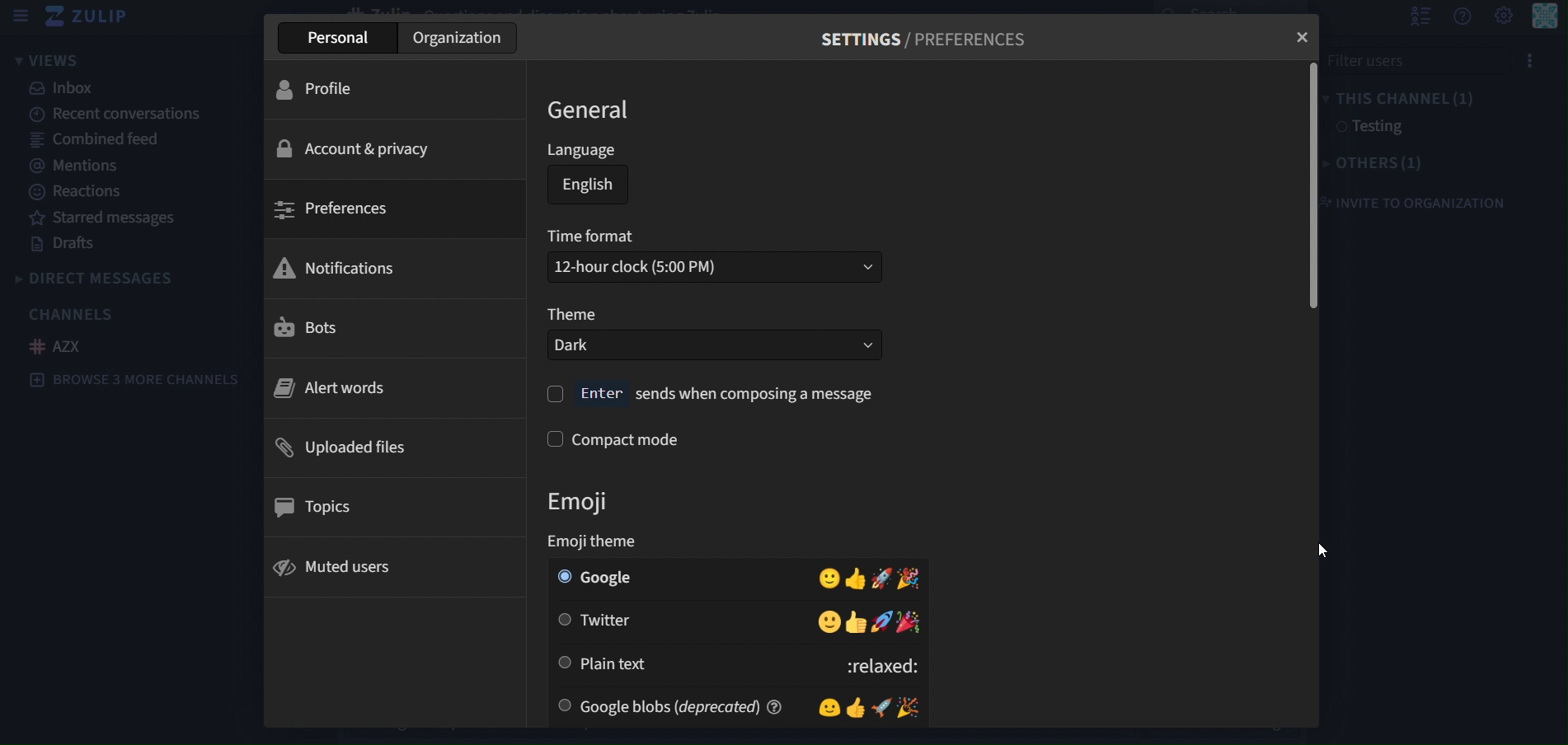 This screenshot has width=1568, height=745. What do you see at coordinates (1461, 18) in the screenshot?
I see `get help` at bounding box center [1461, 18].